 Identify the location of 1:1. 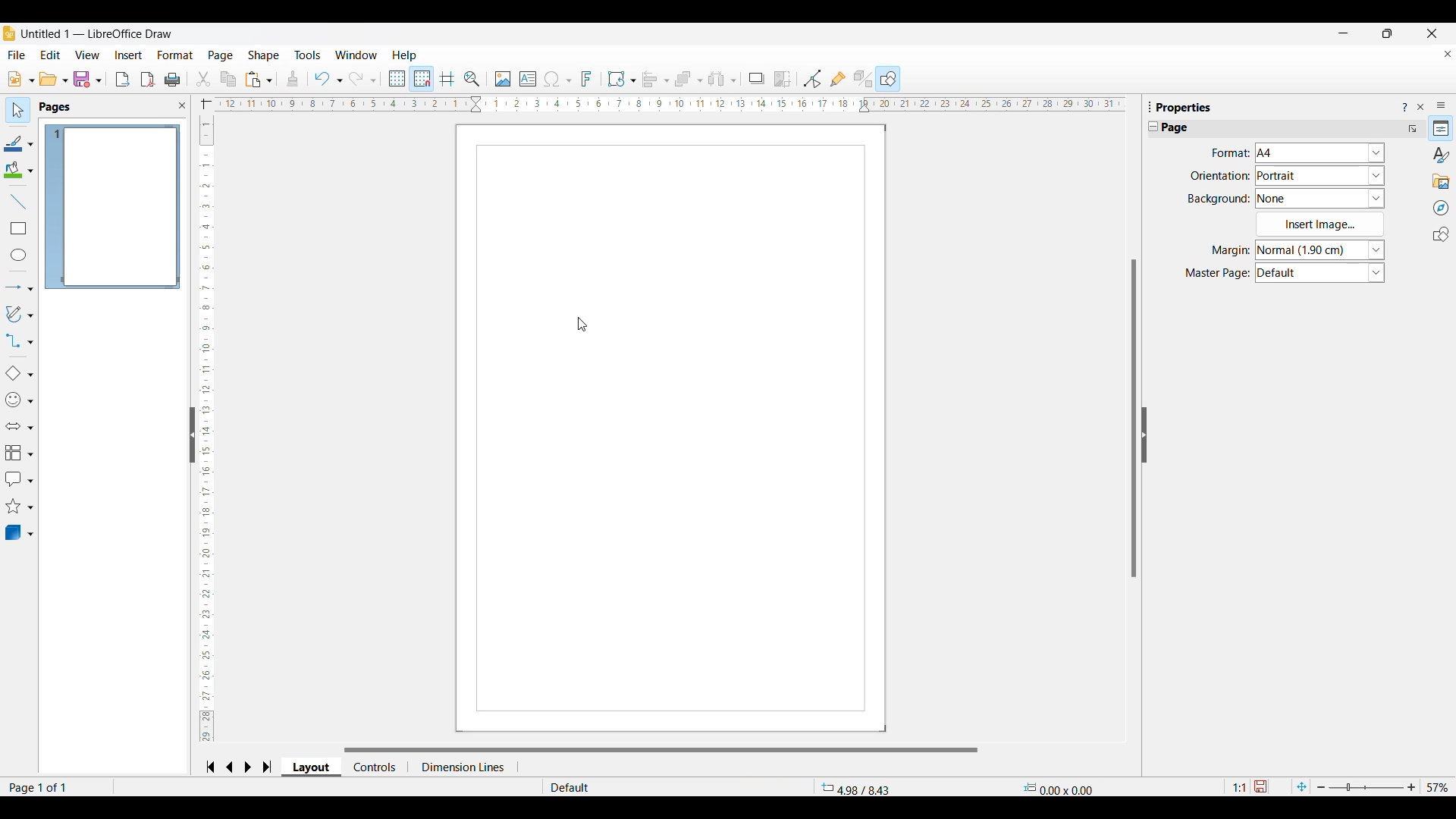
(1238, 787).